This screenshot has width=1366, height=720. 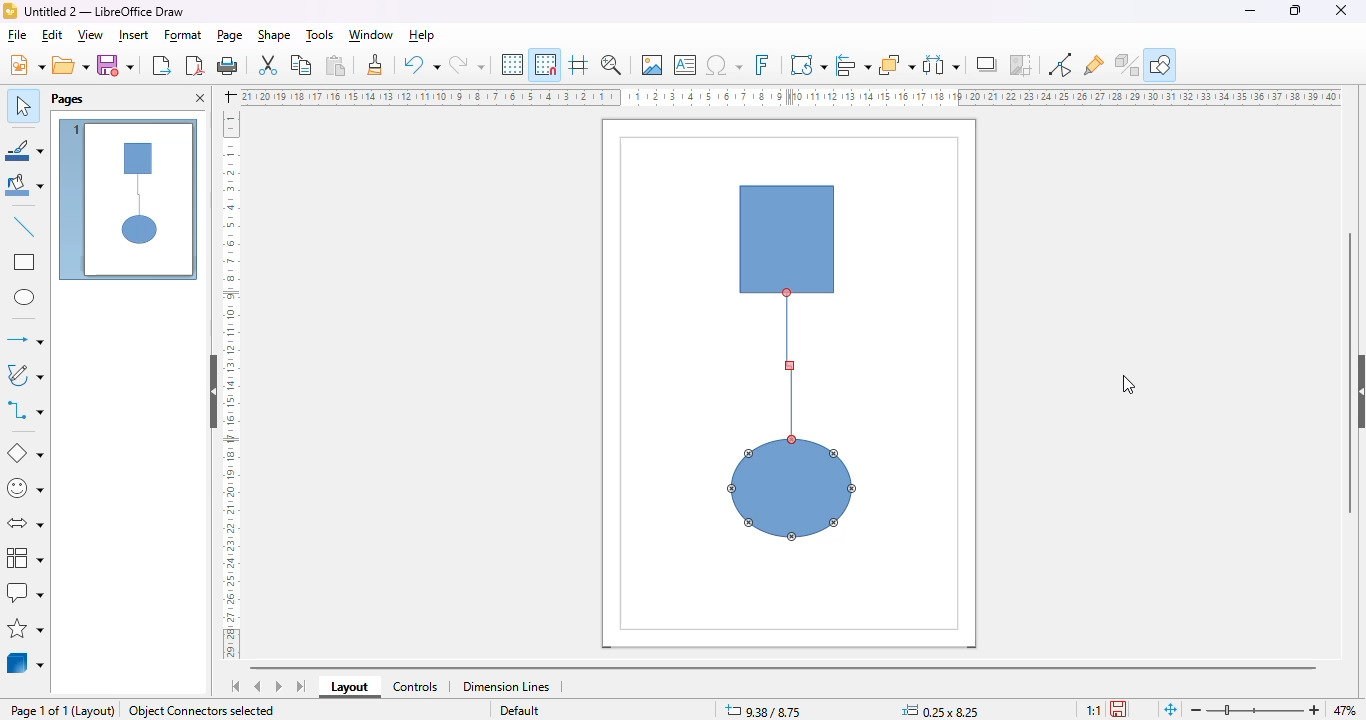 I want to click on show, so click(x=1357, y=392).